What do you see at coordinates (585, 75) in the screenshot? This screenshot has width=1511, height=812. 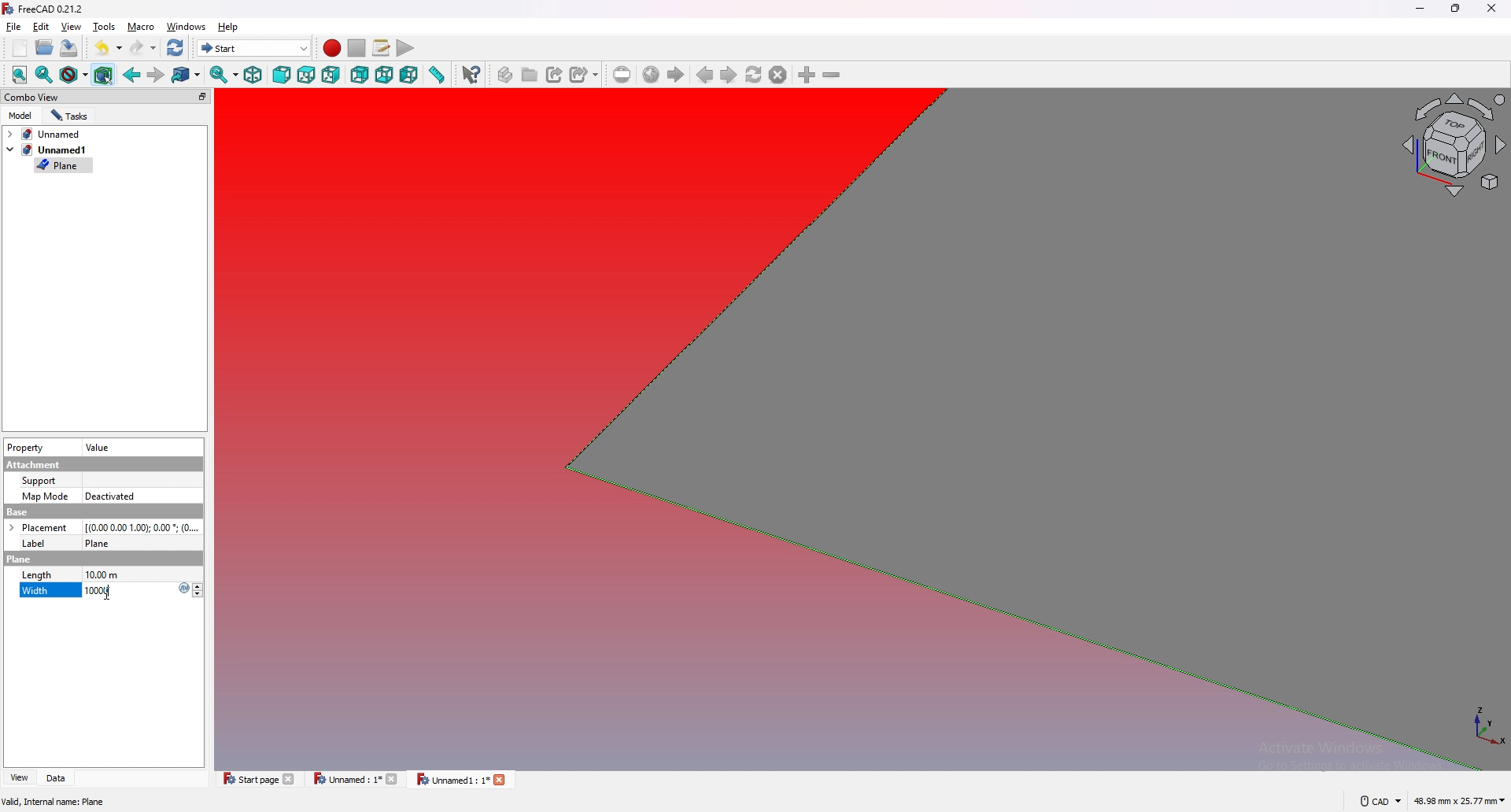 I see `create sub link` at bounding box center [585, 75].